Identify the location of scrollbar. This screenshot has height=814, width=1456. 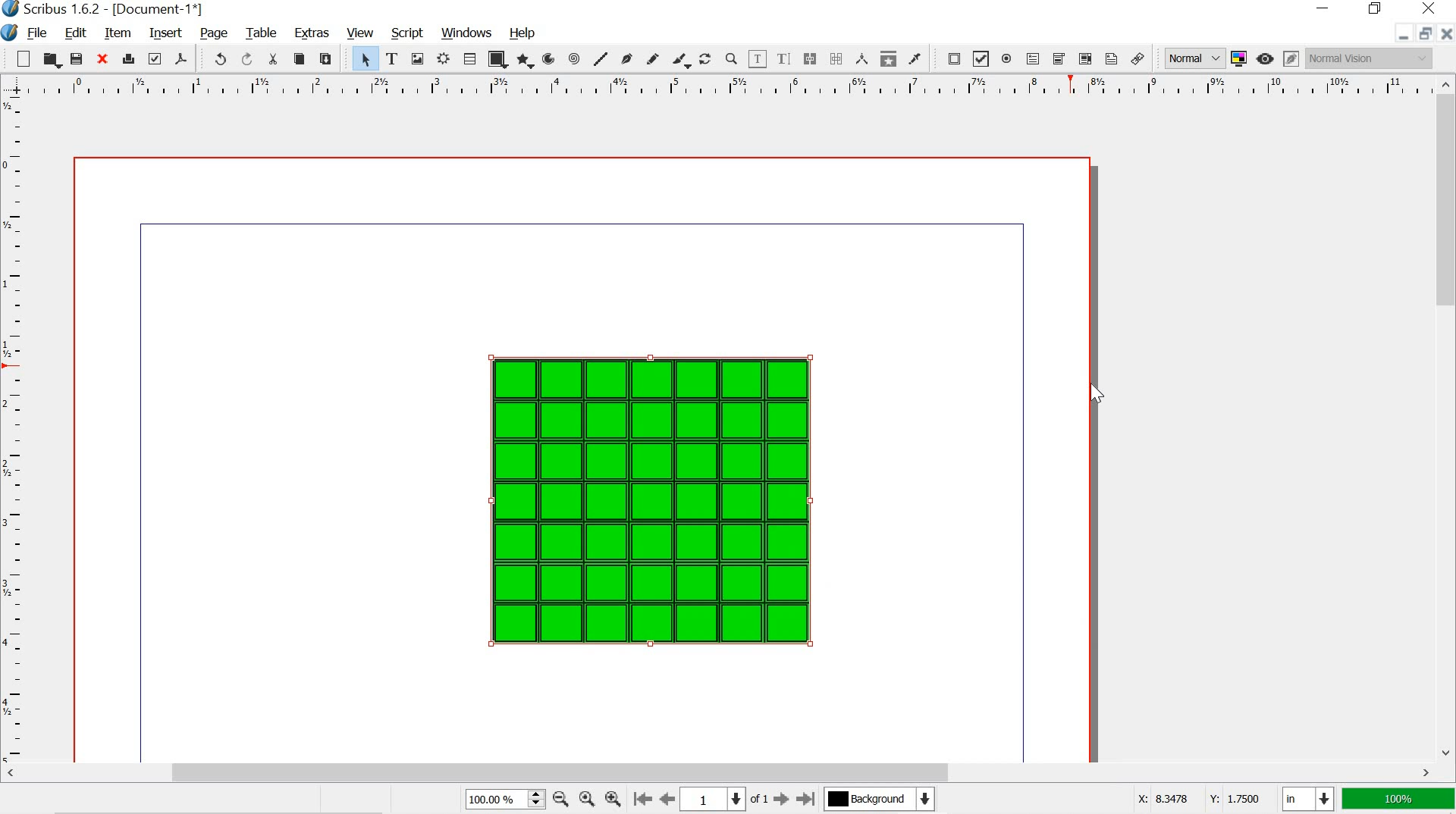
(1447, 416).